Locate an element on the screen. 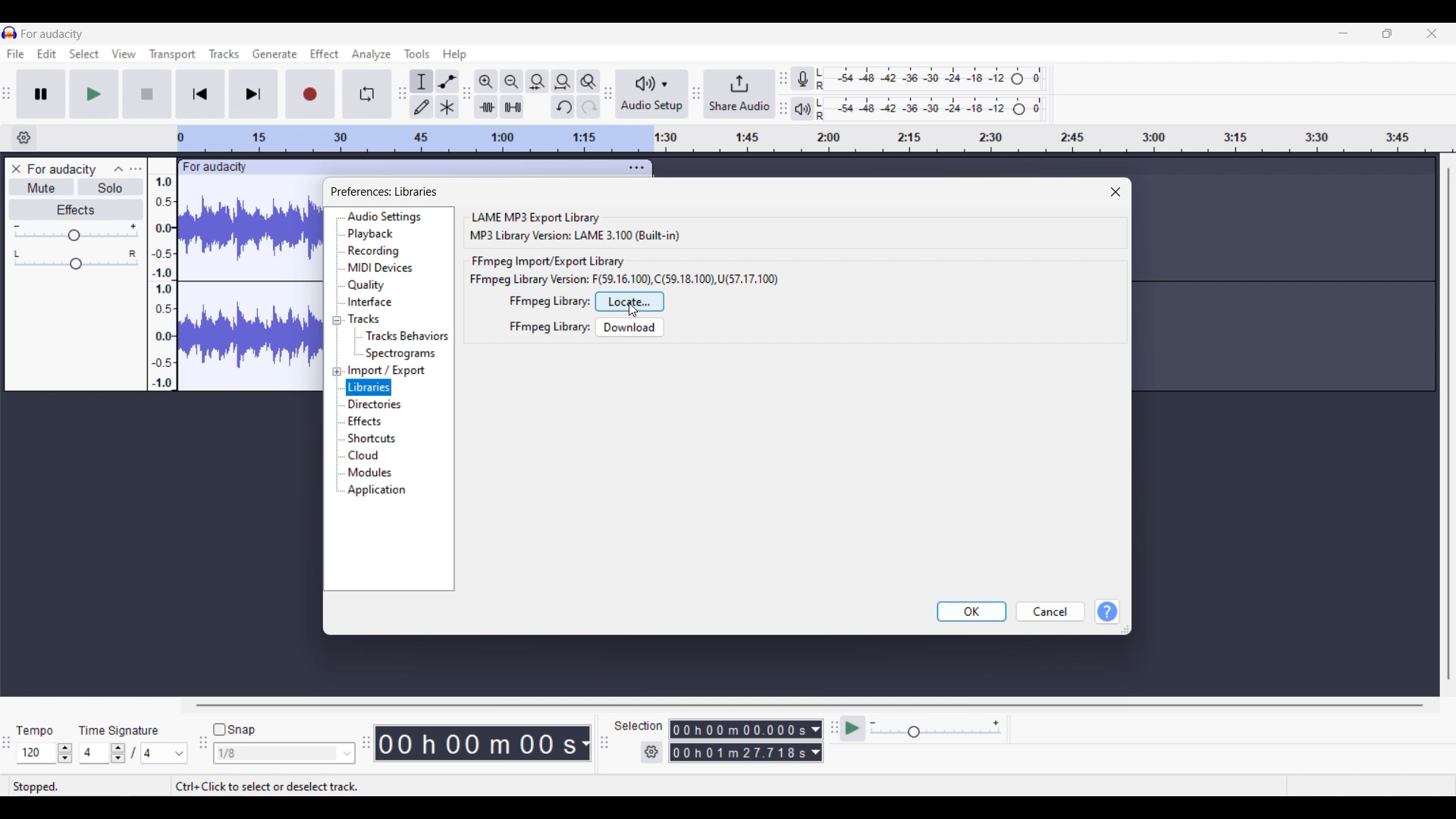 The width and height of the screenshot is (1456, 819). play at speed is located at coordinates (852, 727).